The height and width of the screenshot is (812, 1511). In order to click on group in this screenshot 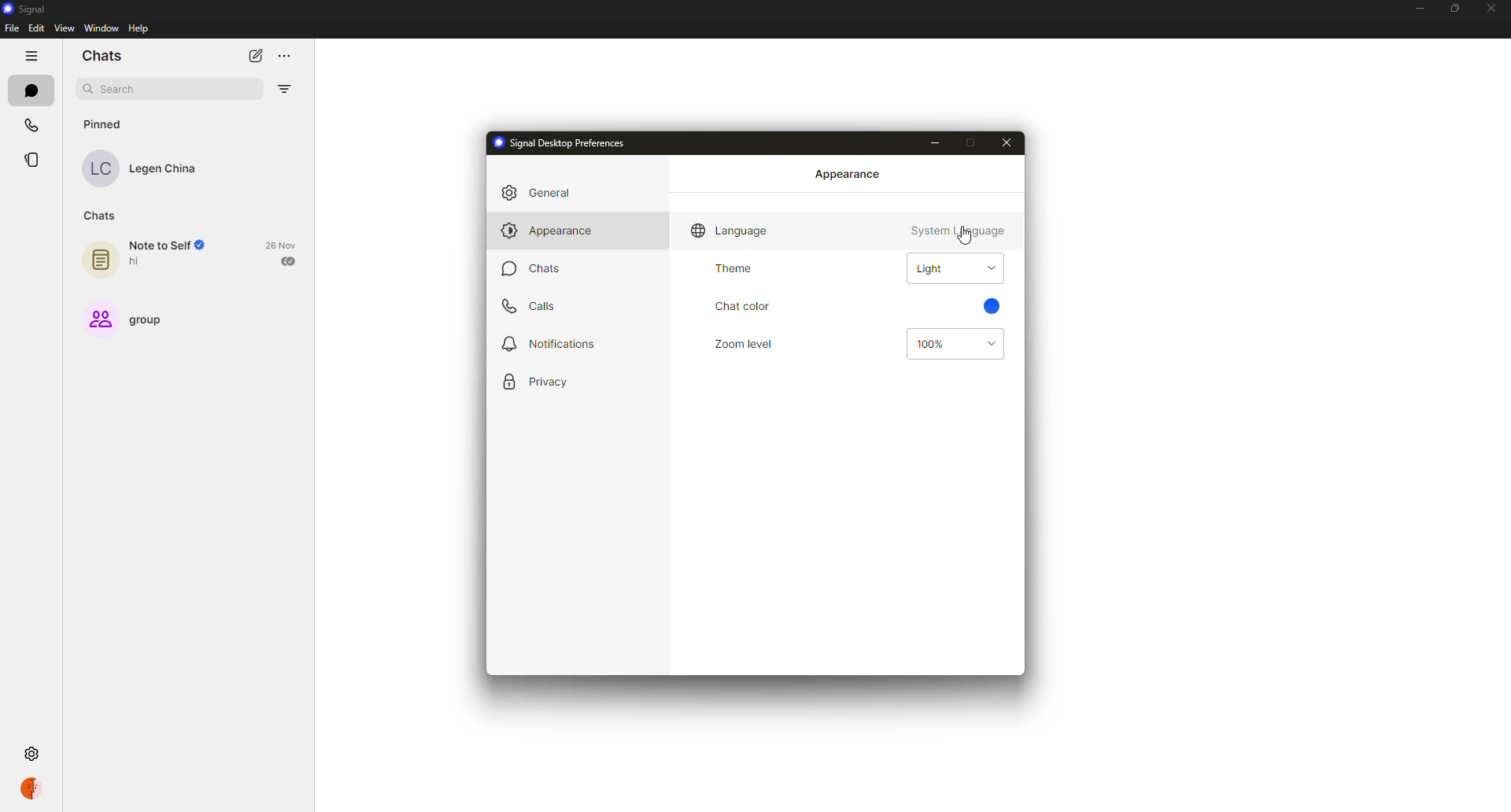, I will do `click(125, 318)`.